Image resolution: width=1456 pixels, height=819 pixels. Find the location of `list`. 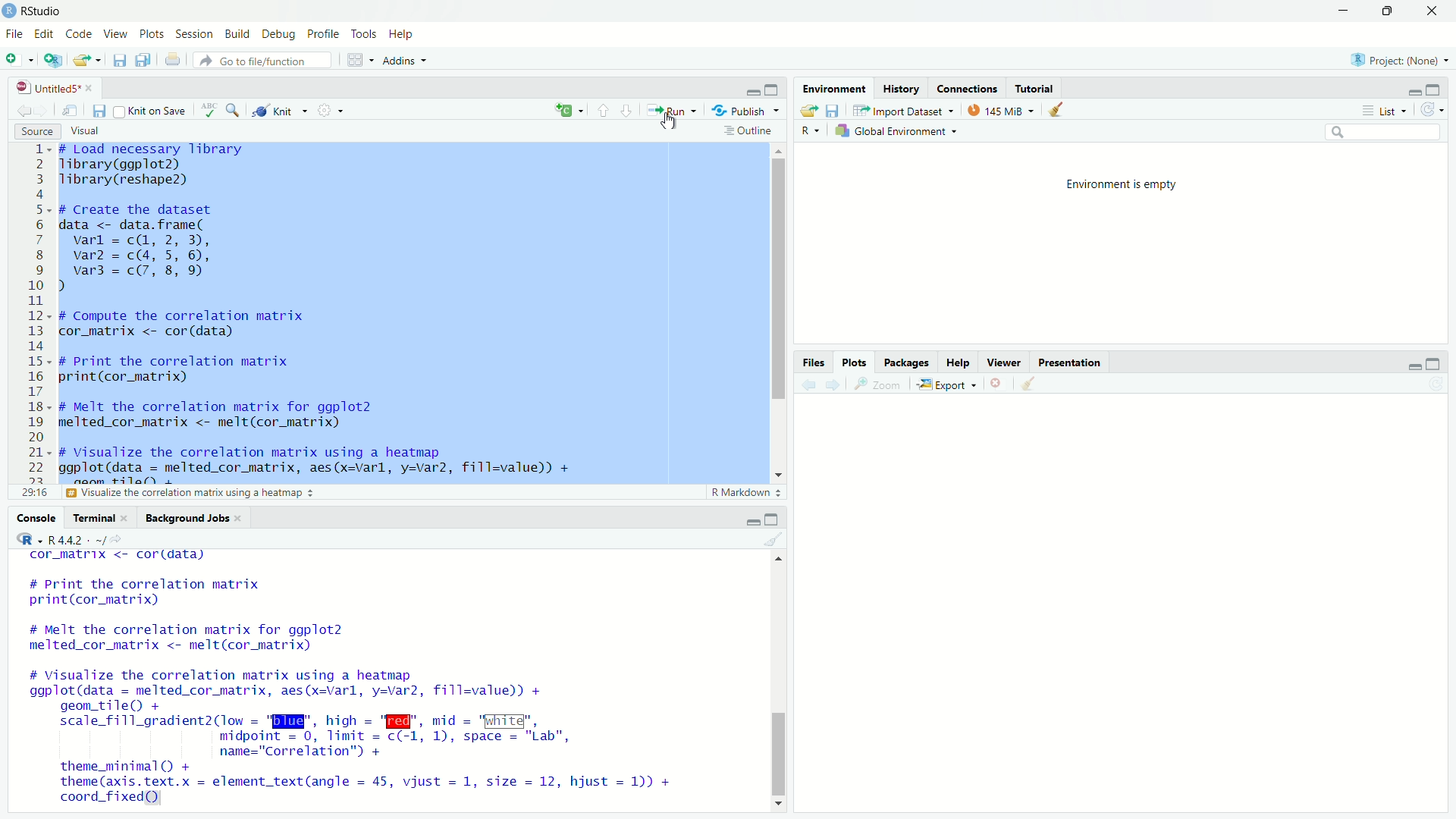

list is located at coordinates (1385, 110).